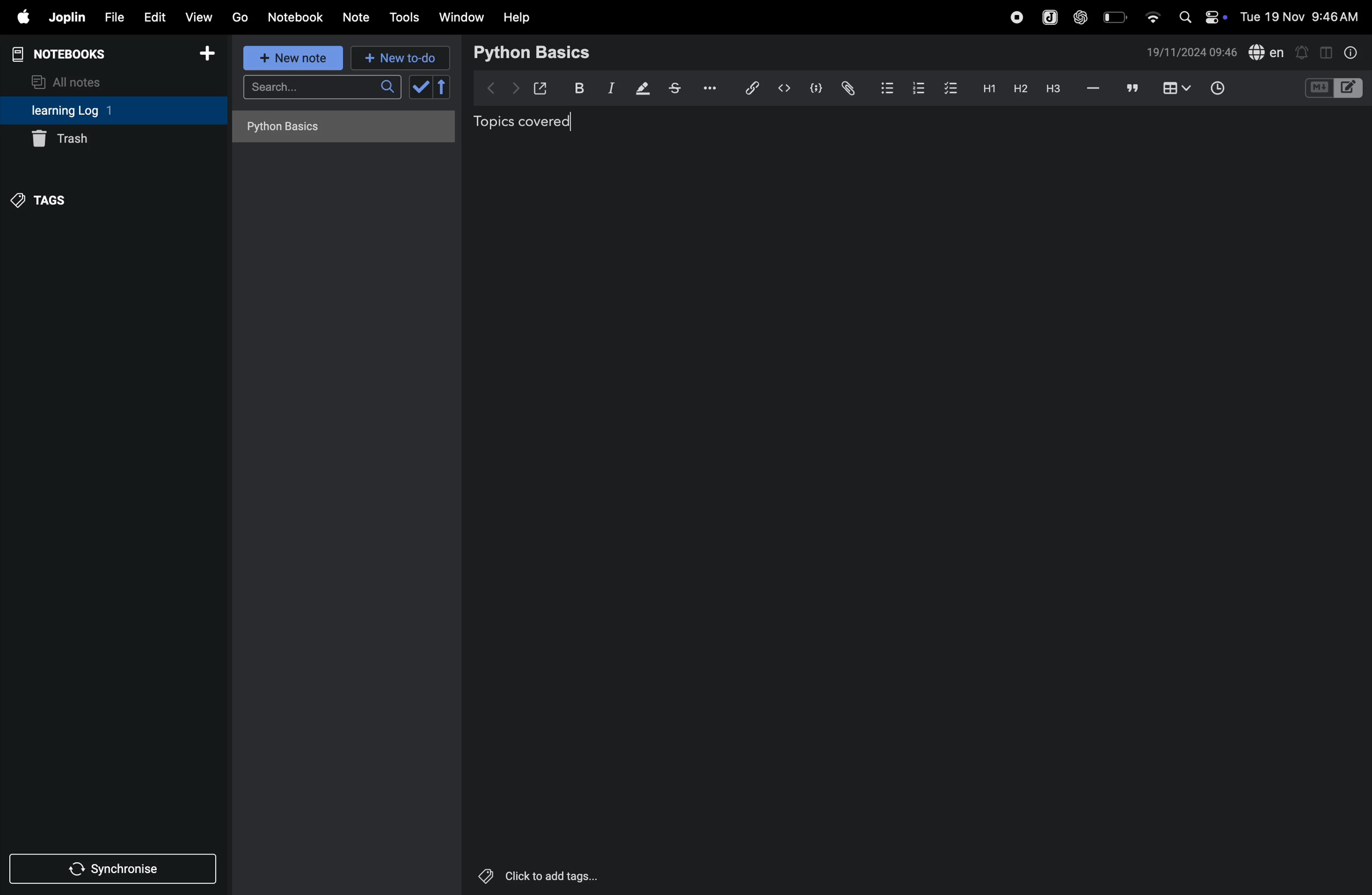  I want to click on tags, so click(42, 198).